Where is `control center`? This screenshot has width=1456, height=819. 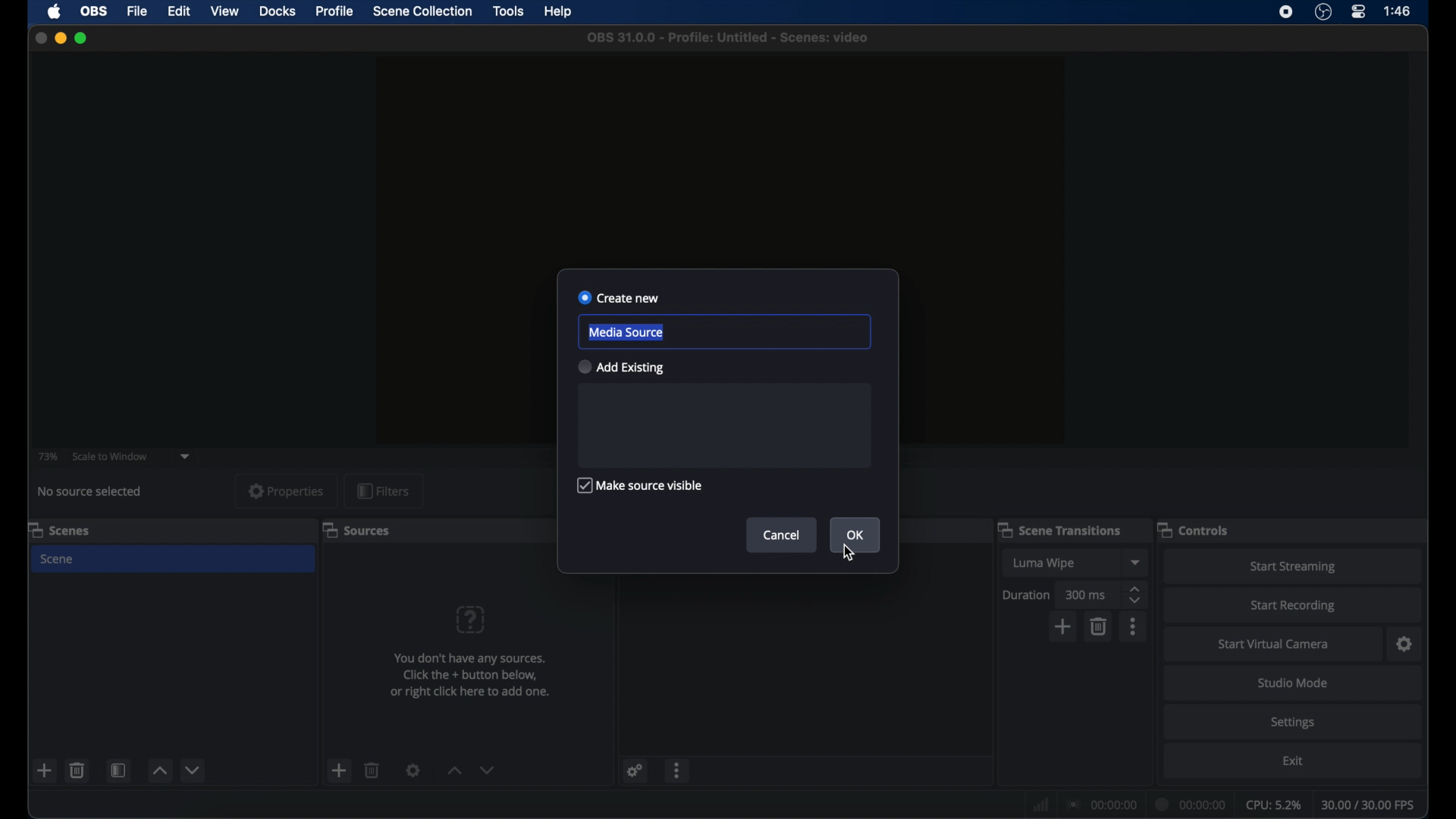
control center is located at coordinates (1359, 11).